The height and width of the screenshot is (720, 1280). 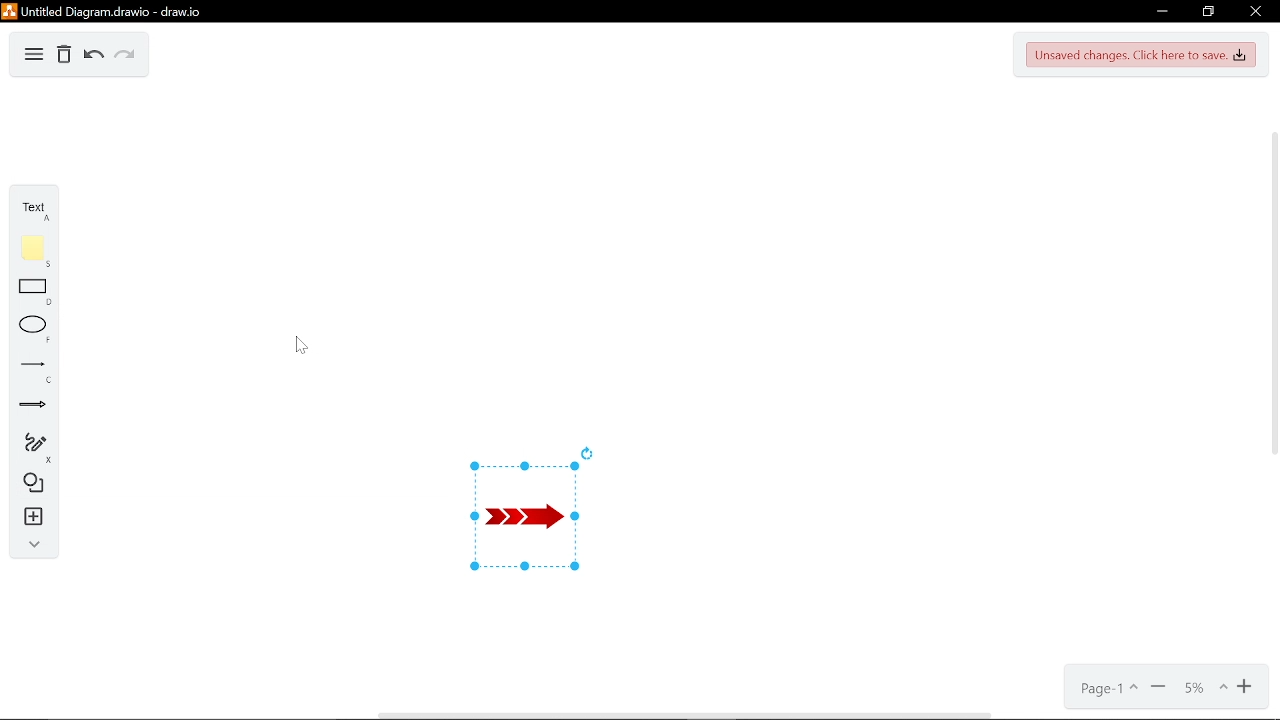 I want to click on Page options, so click(x=1106, y=687).